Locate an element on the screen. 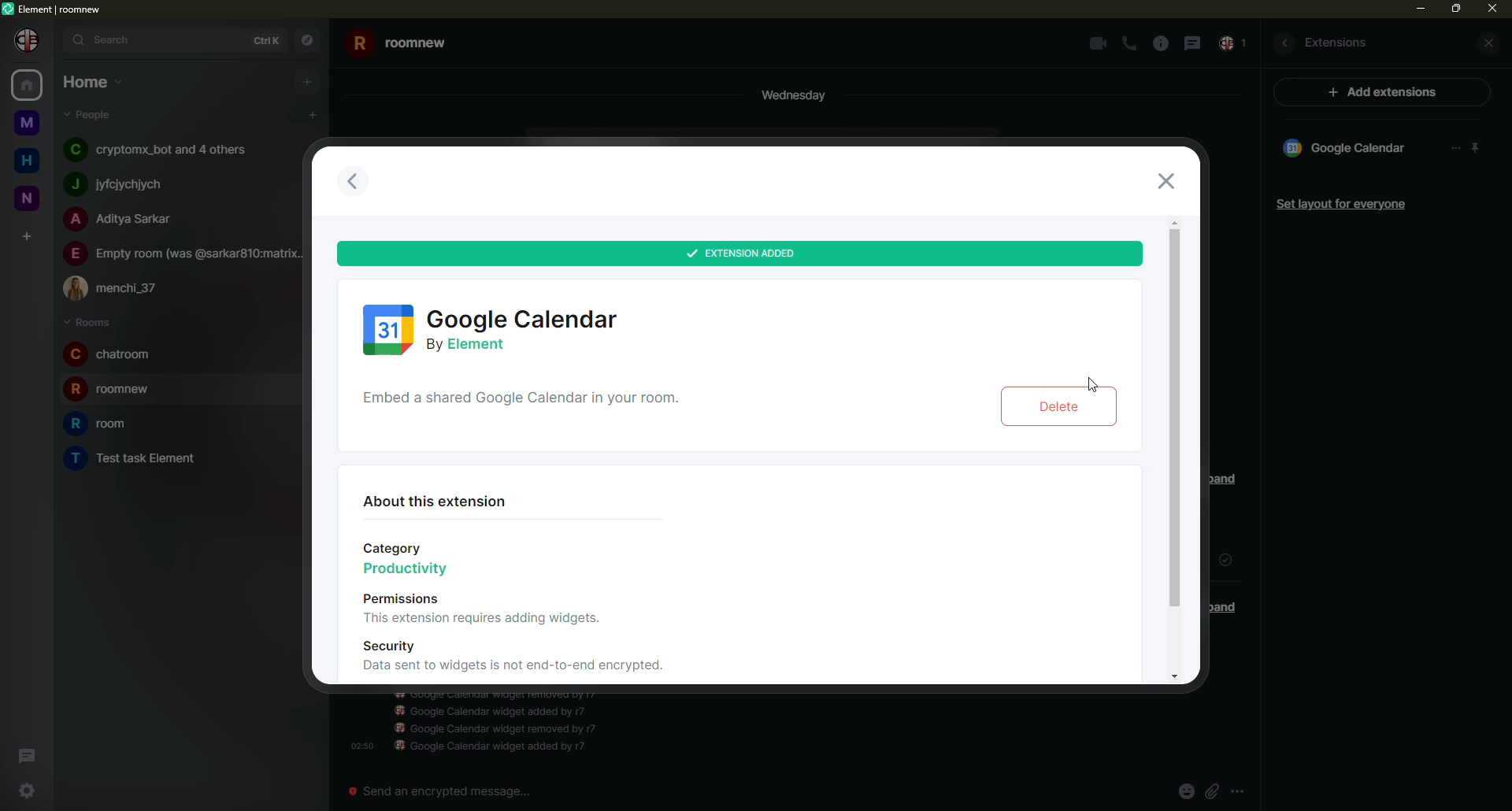 The height and width of the screenshot is (811, 1512). people is located at coordinates (185, 254).